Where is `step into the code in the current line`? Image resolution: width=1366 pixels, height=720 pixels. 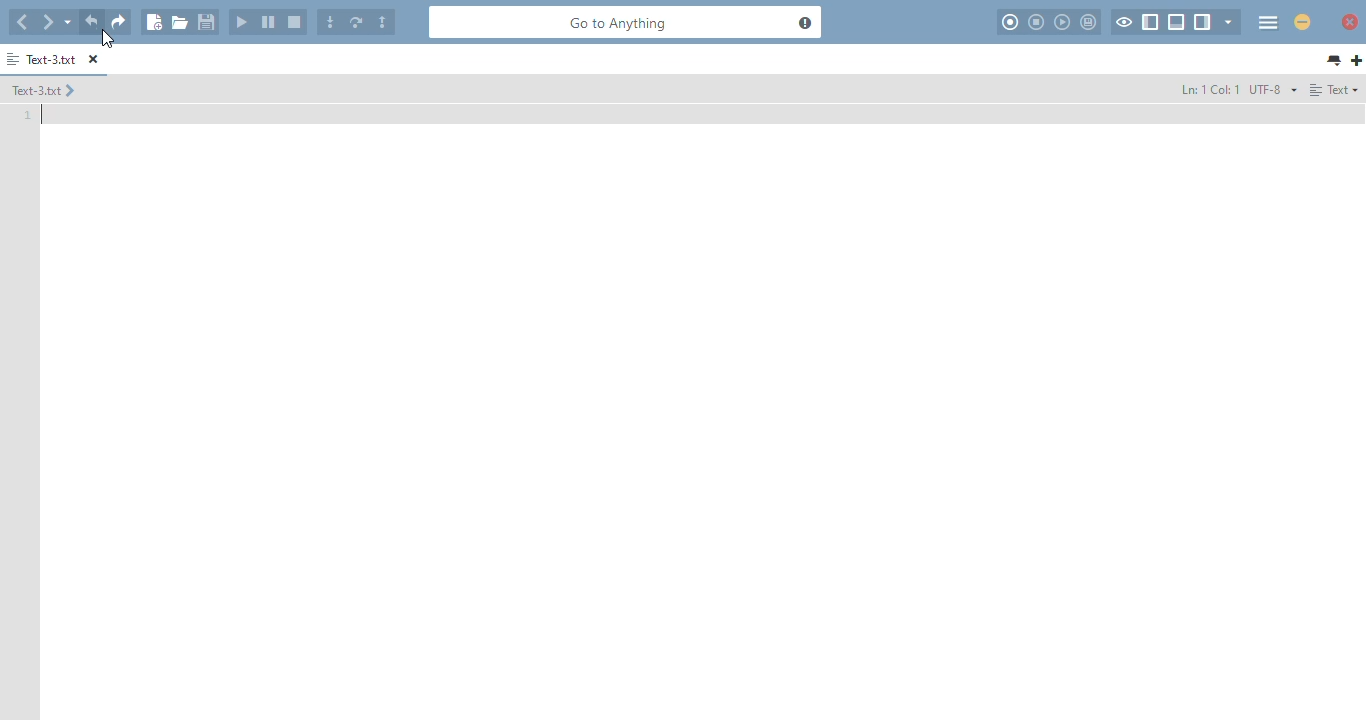
step into the code in the current line is located at coordinates (331, 21).